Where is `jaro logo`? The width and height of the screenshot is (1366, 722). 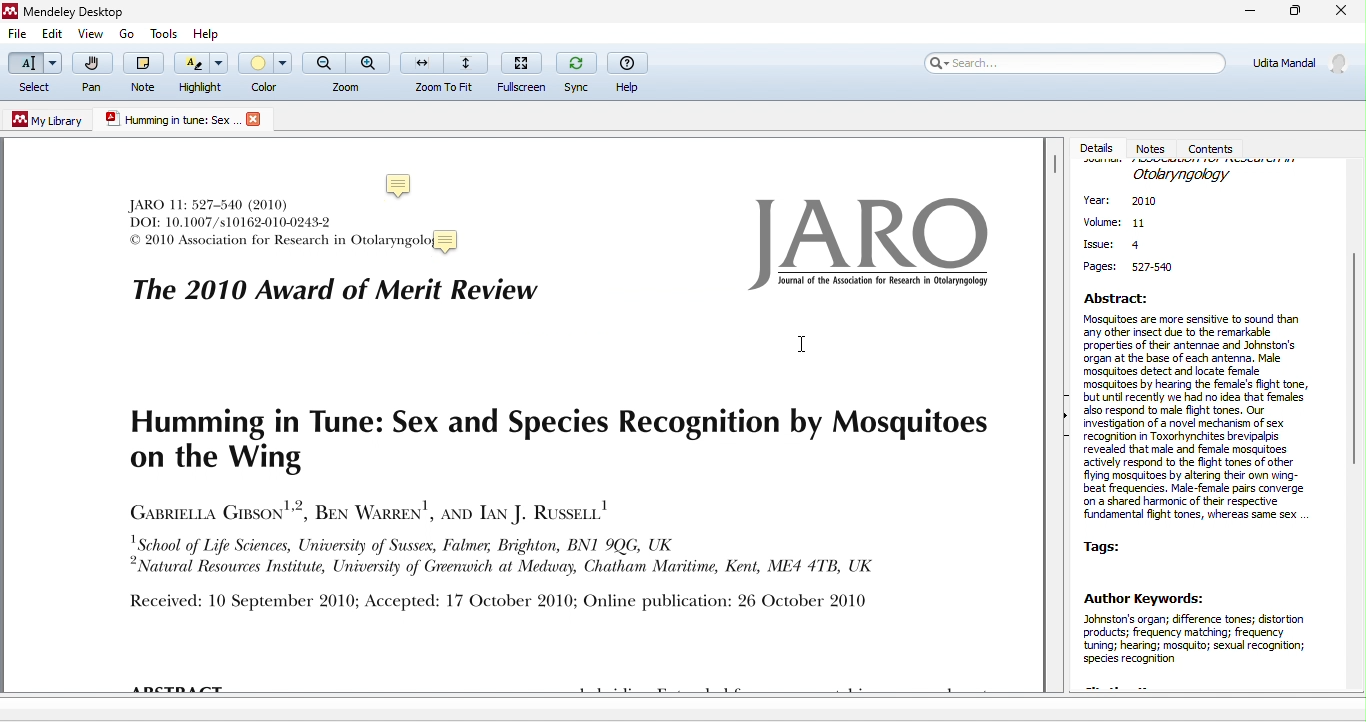
jaro logo is located at coordinates (868, 247).